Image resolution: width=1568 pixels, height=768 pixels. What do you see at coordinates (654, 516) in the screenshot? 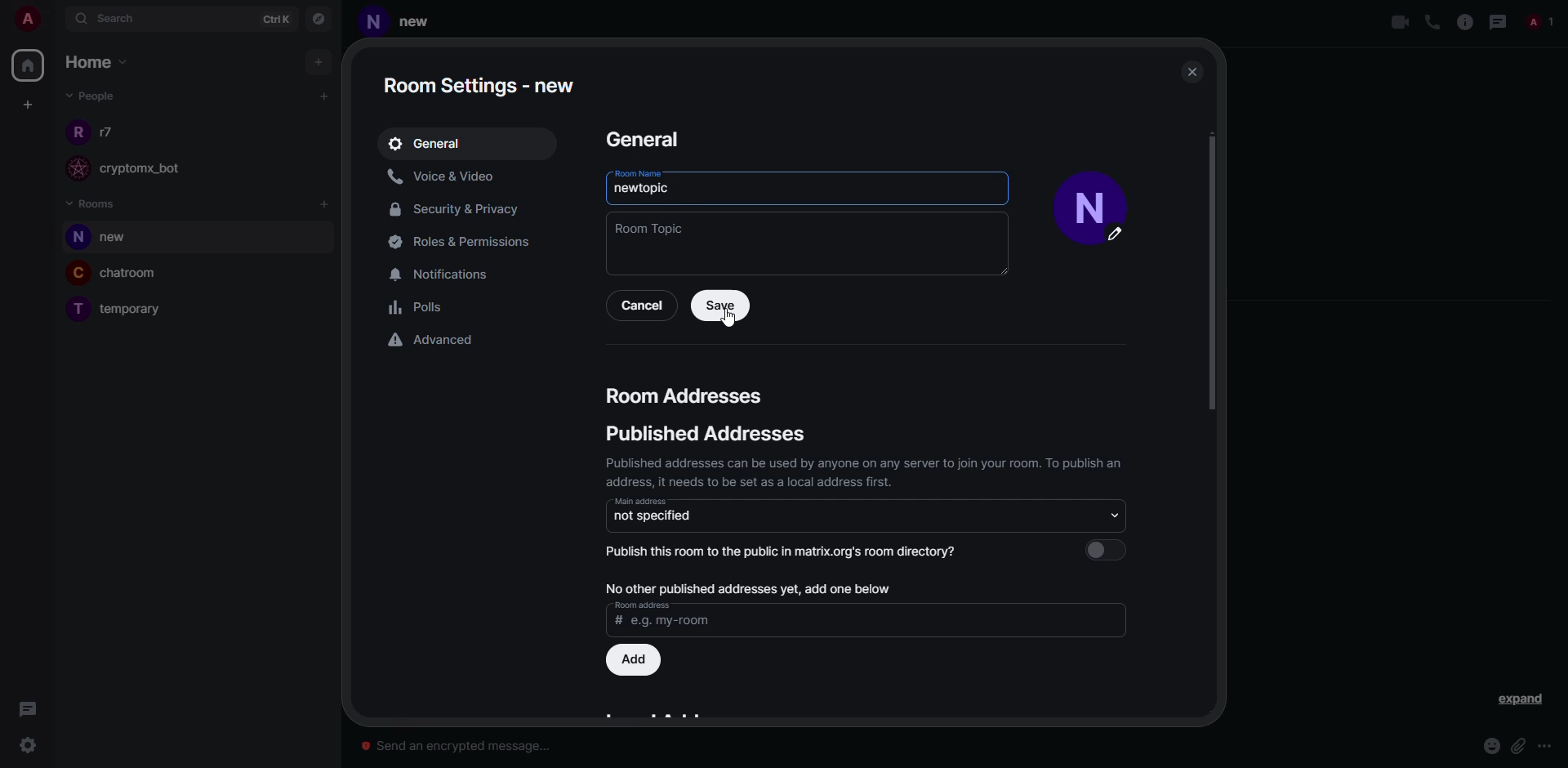
I see `not specified` at bounding box center [654, 516].